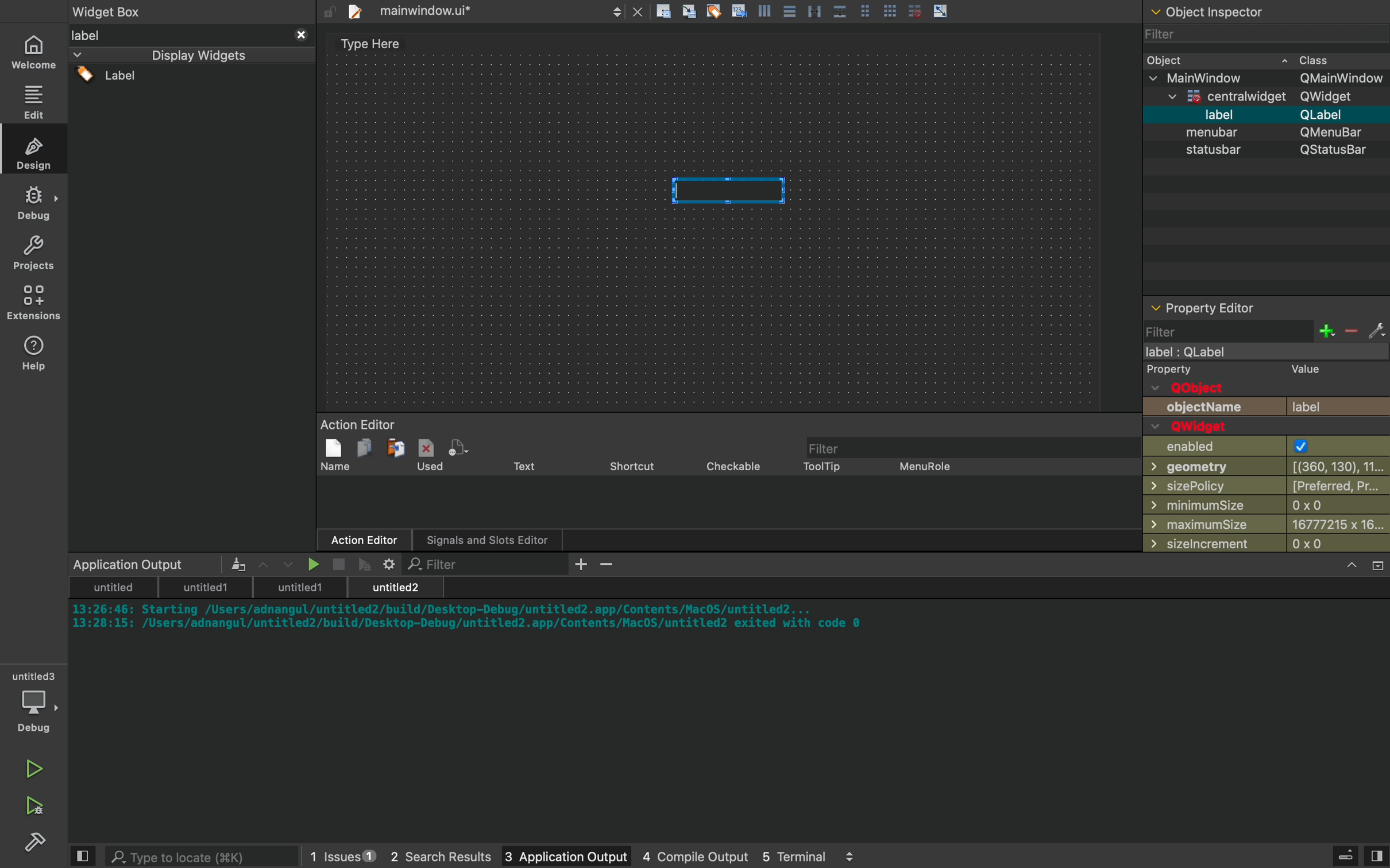 The height and width of the screenshot is (868, 1390). Describe the element at coordinates (192, 289) in the screenshot. I see `widgets` at that location.